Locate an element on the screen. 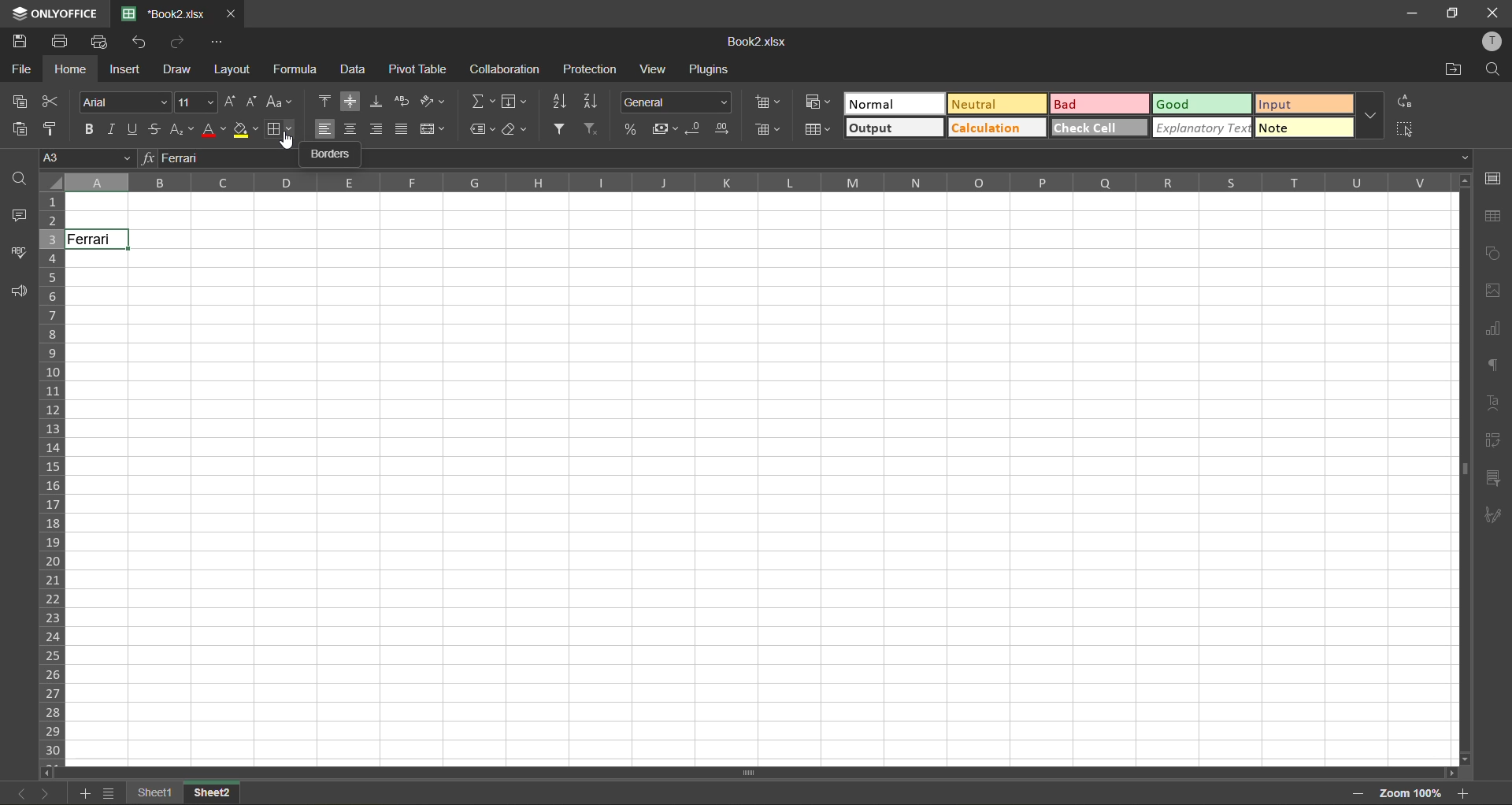 This screenshot has height=805, width=1512. file is located at coordinates (20, 69).